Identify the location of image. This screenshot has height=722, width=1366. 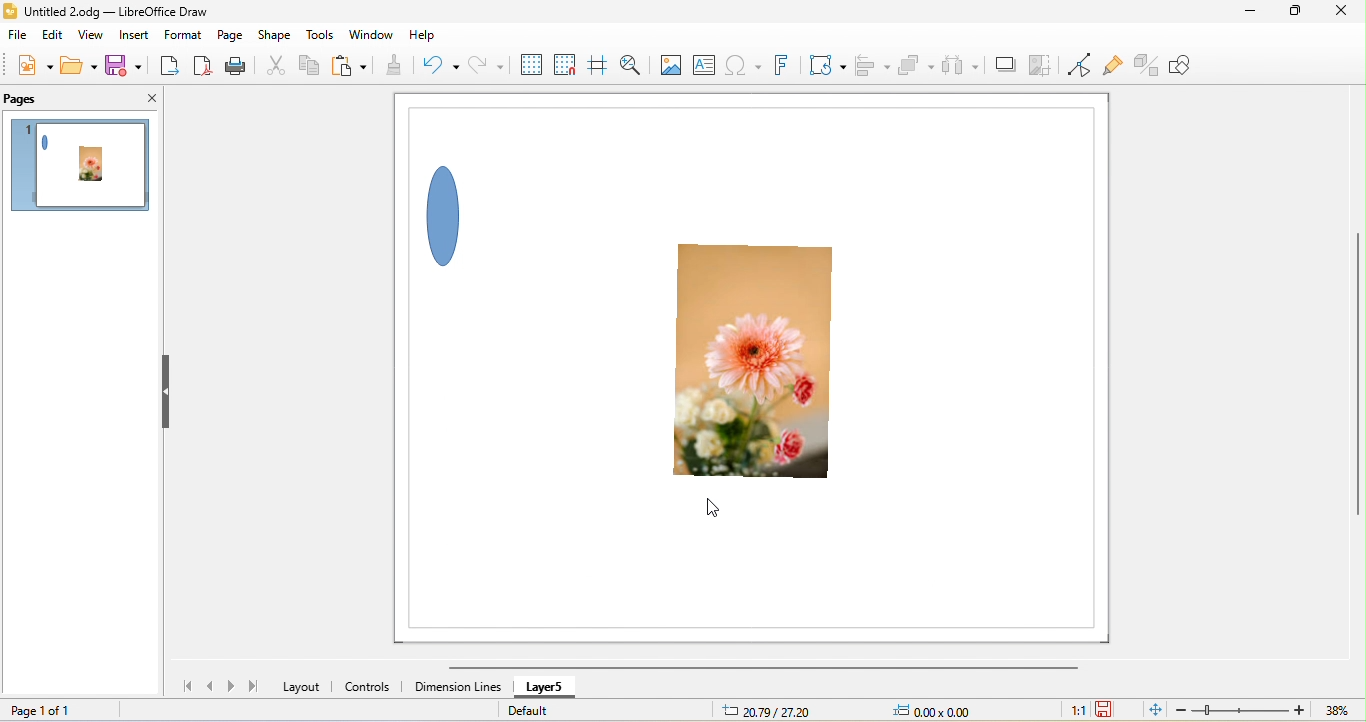
(657, 65).